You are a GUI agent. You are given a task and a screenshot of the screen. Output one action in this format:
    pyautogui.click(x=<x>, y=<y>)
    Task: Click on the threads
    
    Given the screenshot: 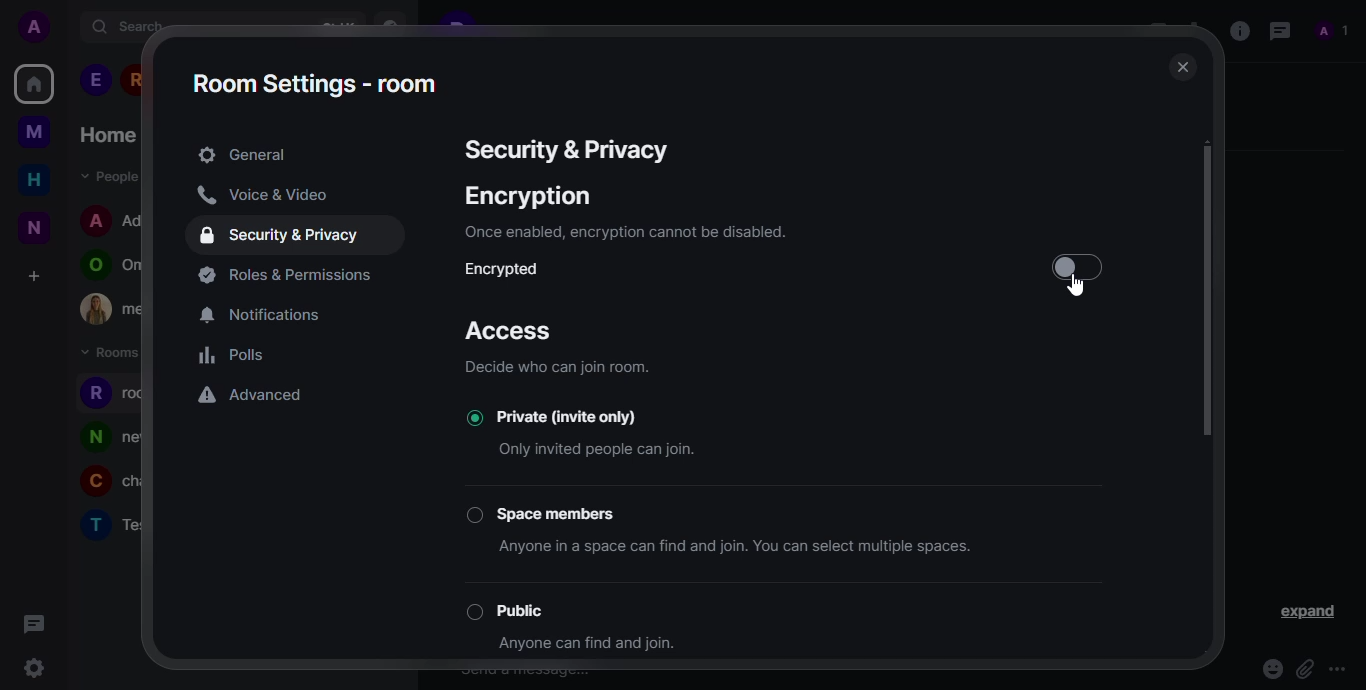 What is the action you would take?
    pyautogui.click(x=35, y=624)
    